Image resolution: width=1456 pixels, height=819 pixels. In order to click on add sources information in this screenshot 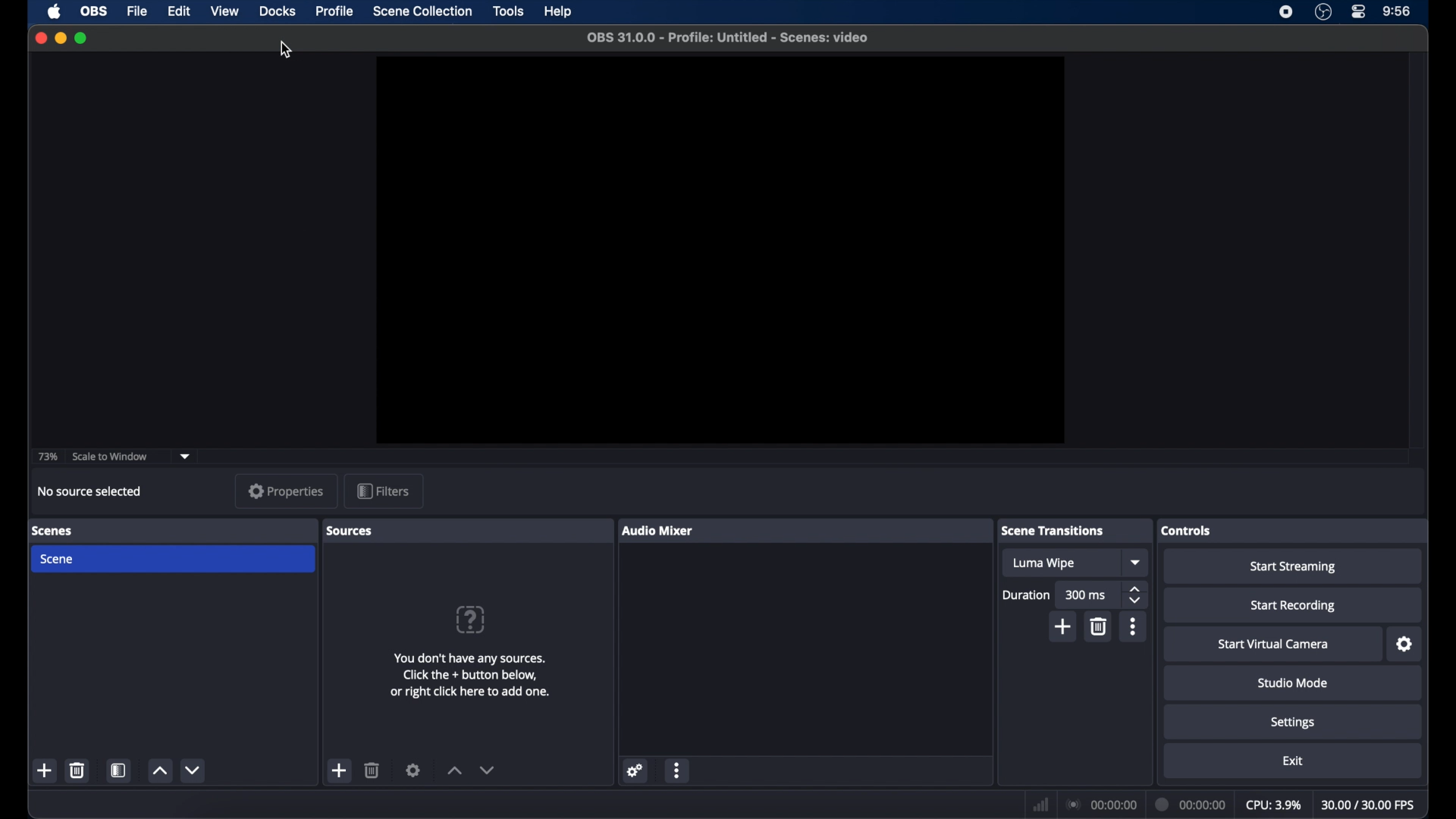, I will do `click(470, 675)`.